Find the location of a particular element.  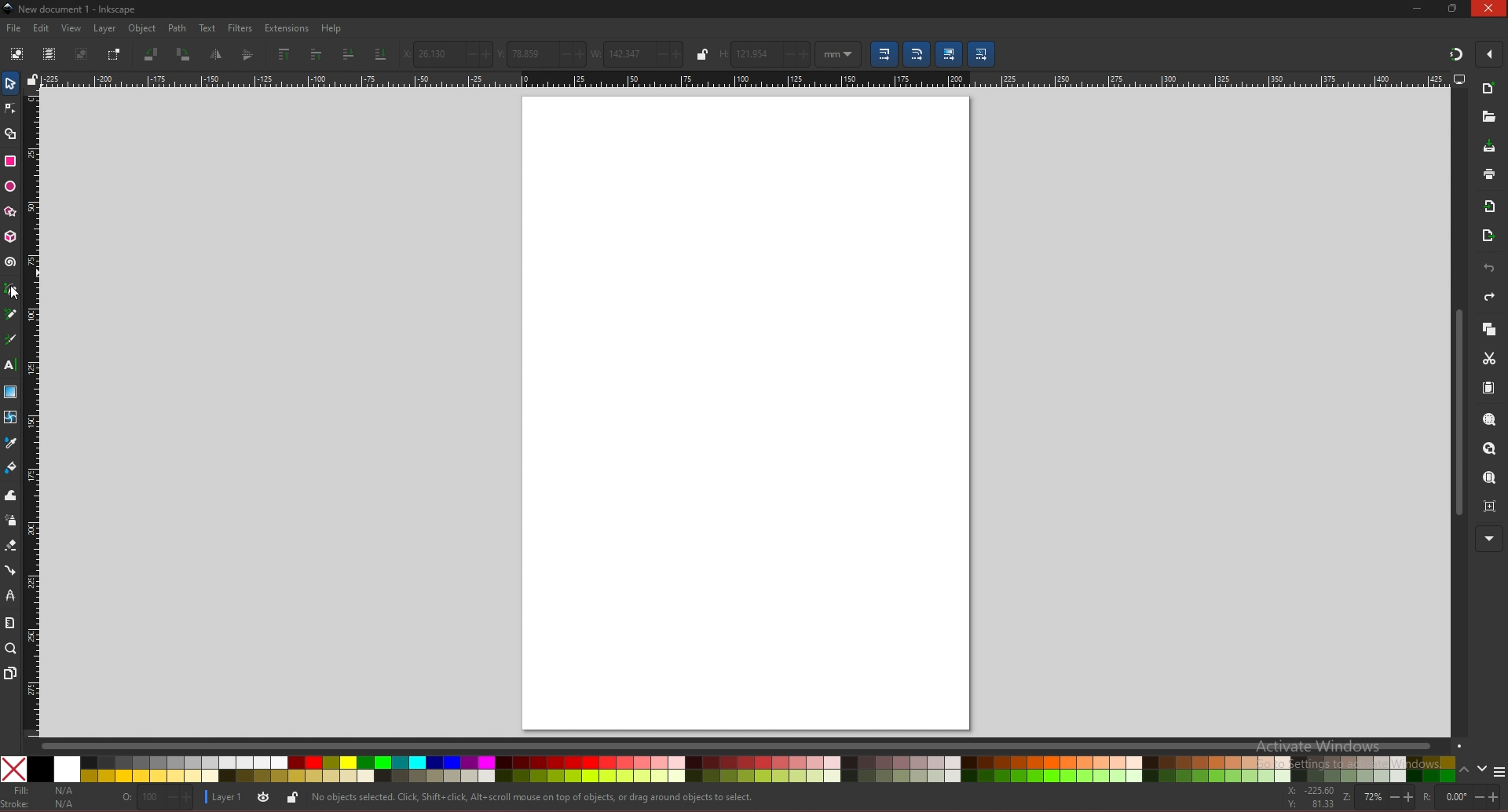

rectangle is located at coordinates (9, 161).